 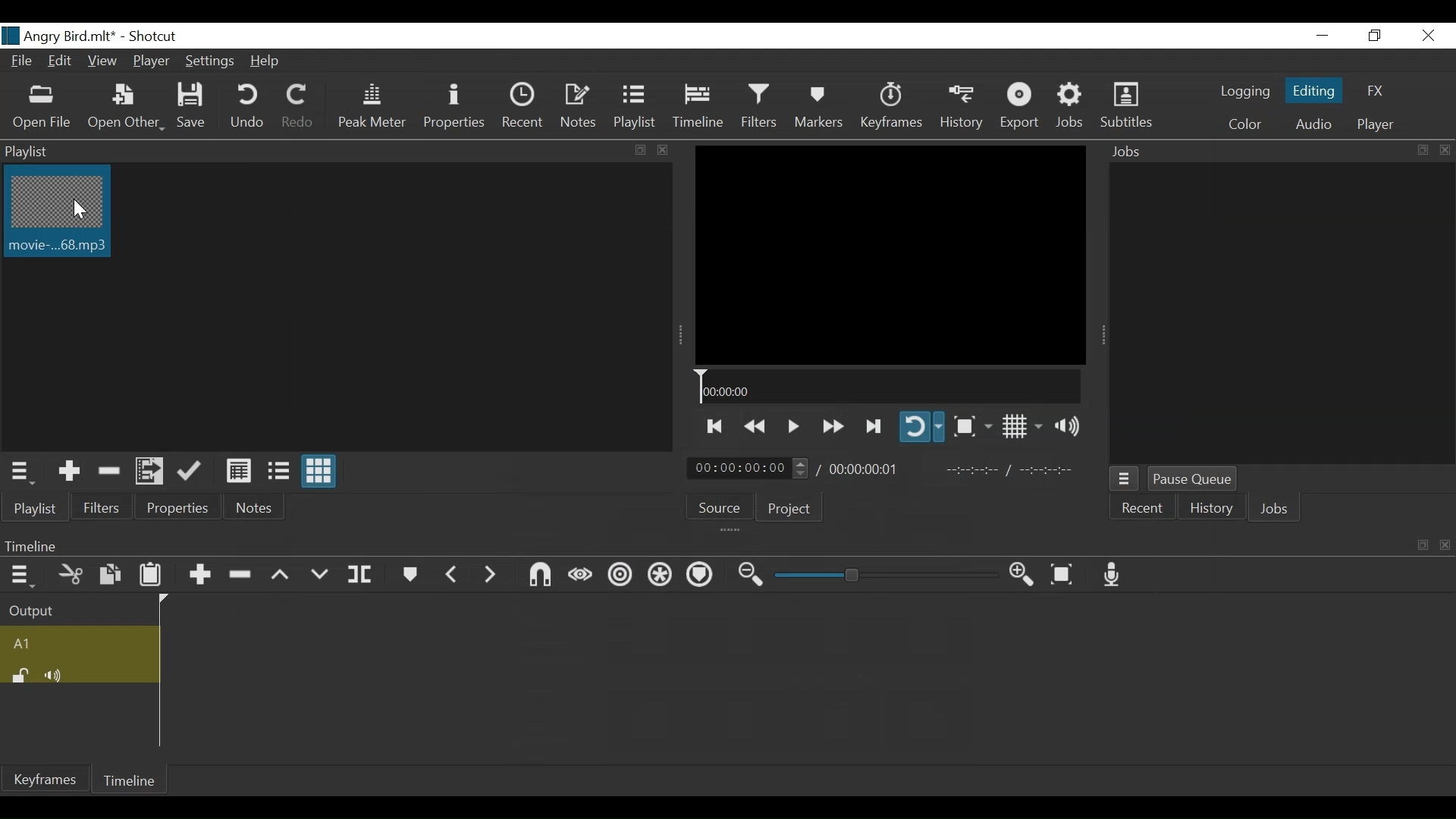 What do you see at coordinates (874, 425) in the screenshot?
I see `Play forward quickly` at bounding box center [874, 425].